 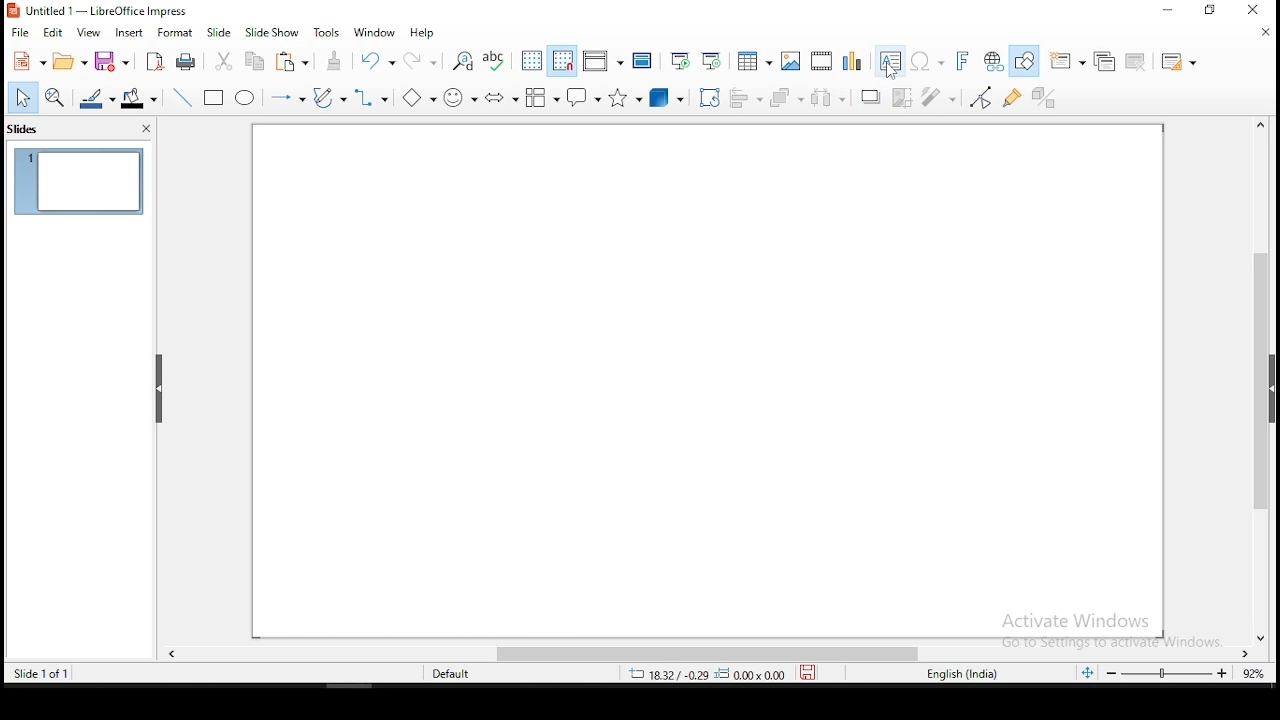 I want to click on text box, so click(x=891, y=60).